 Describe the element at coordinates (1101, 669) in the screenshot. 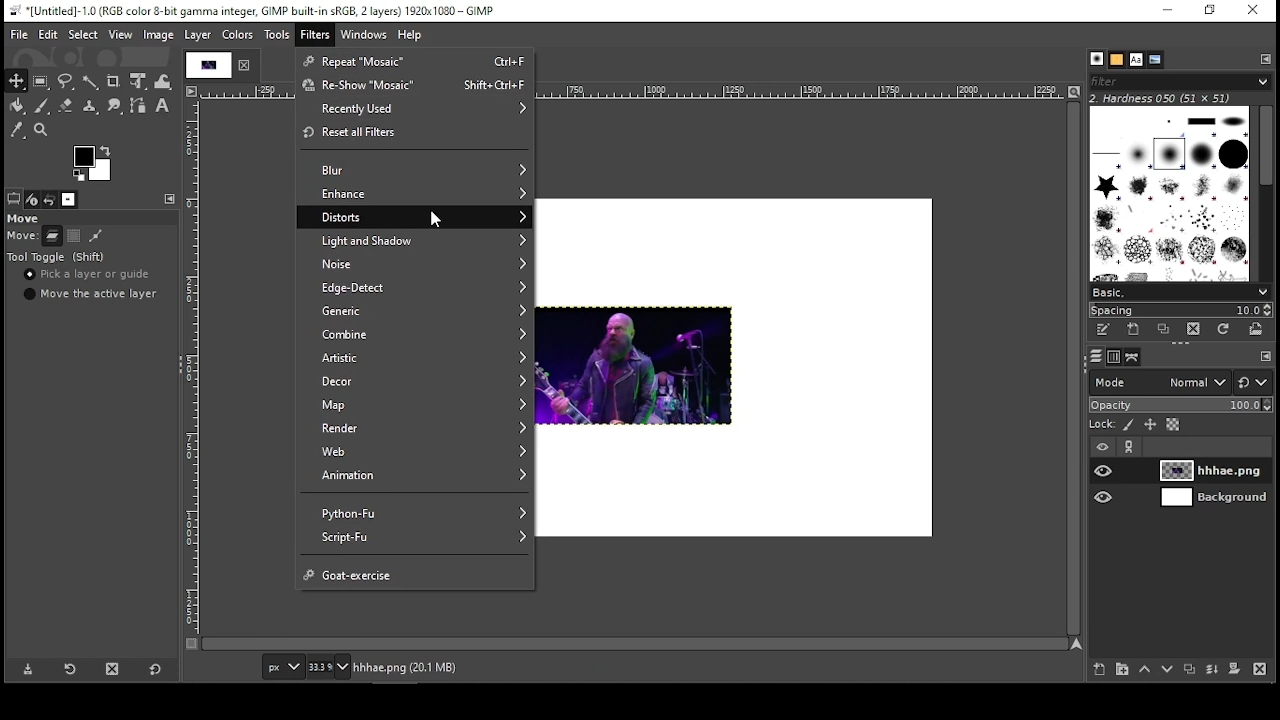

I see `new layer ` at that location.